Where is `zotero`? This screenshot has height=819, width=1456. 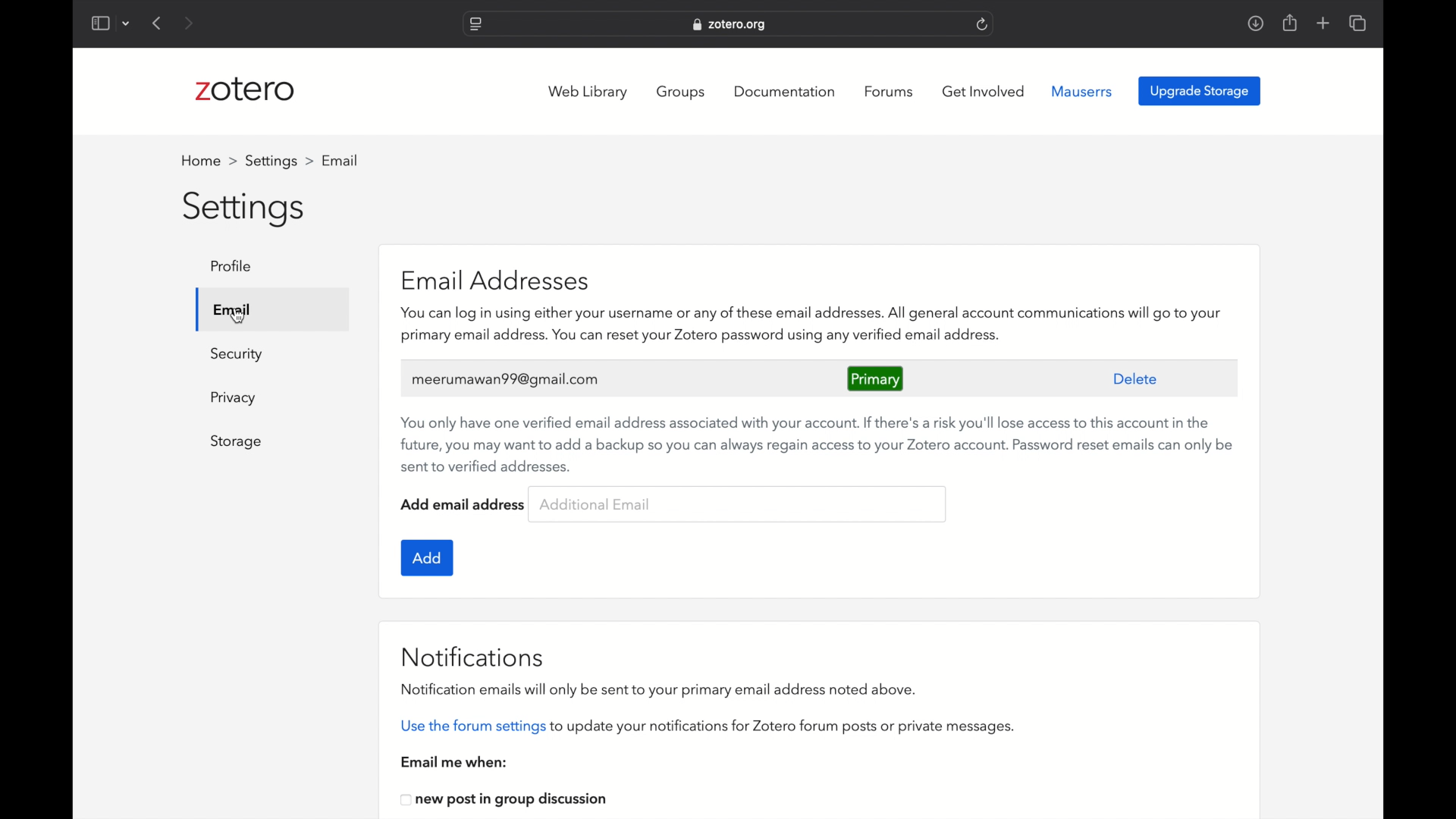
zotero is located at coordinates (246, 89).